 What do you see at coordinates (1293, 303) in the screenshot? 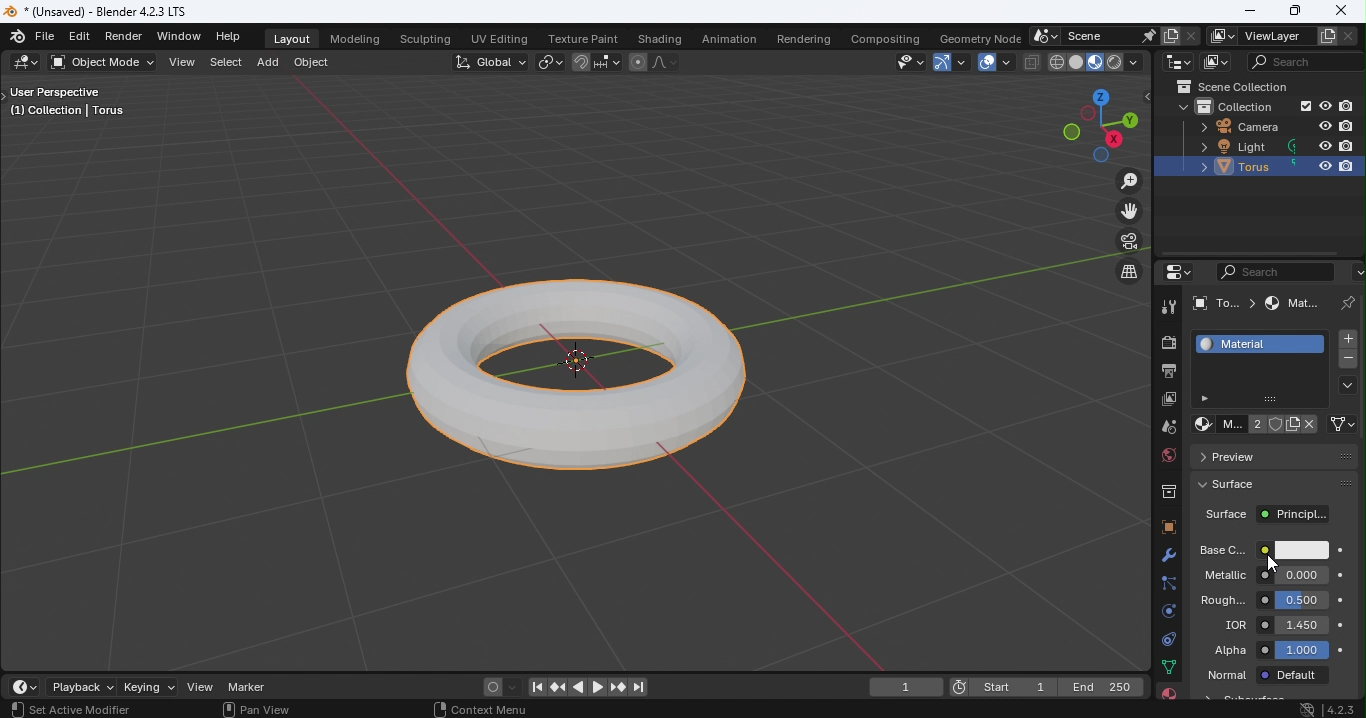
I see `Material` at bounding box center [1293, 303].